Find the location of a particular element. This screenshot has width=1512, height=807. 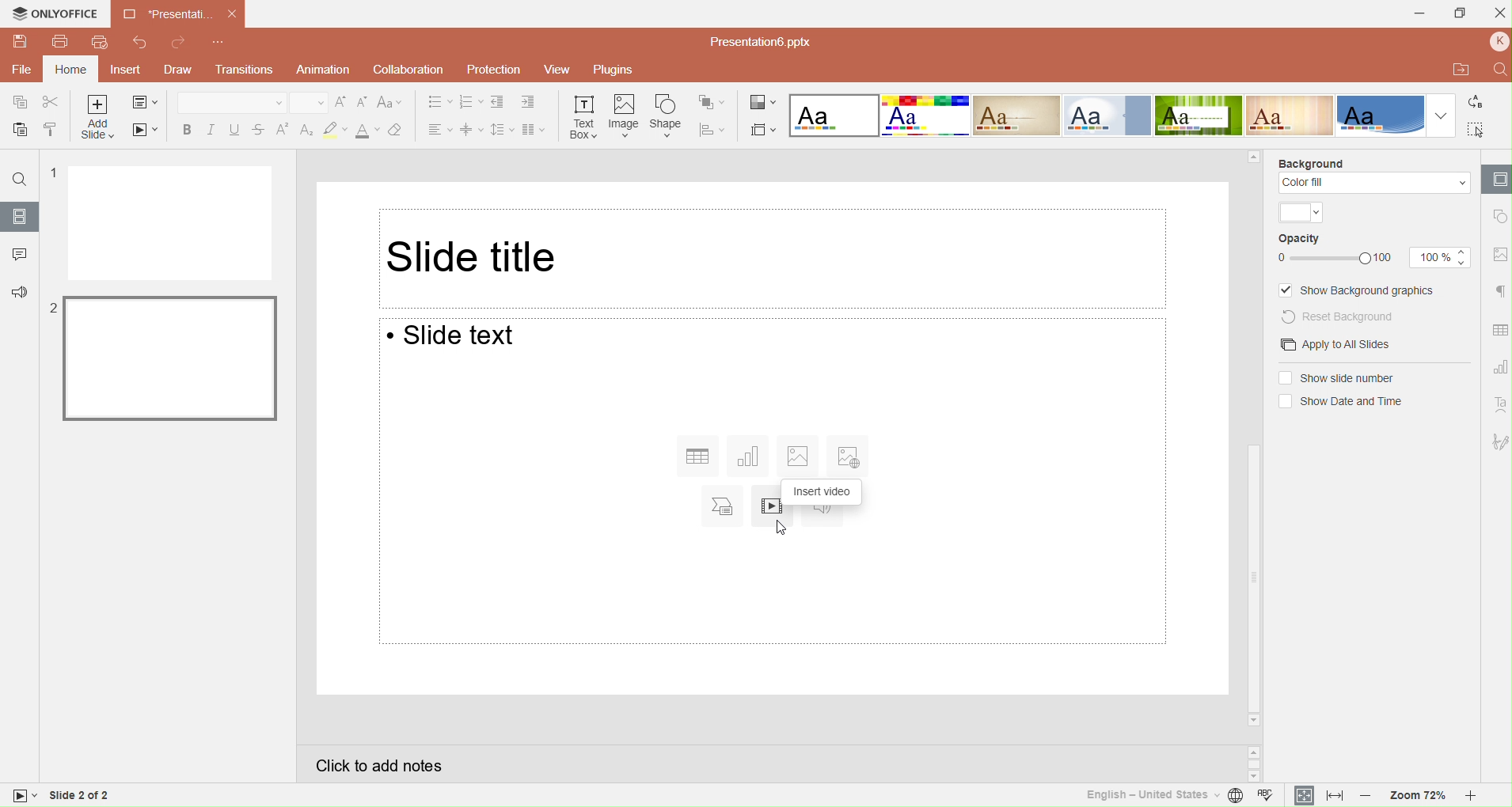

Slide 1 of 2 is located at coordinates (94, 794).